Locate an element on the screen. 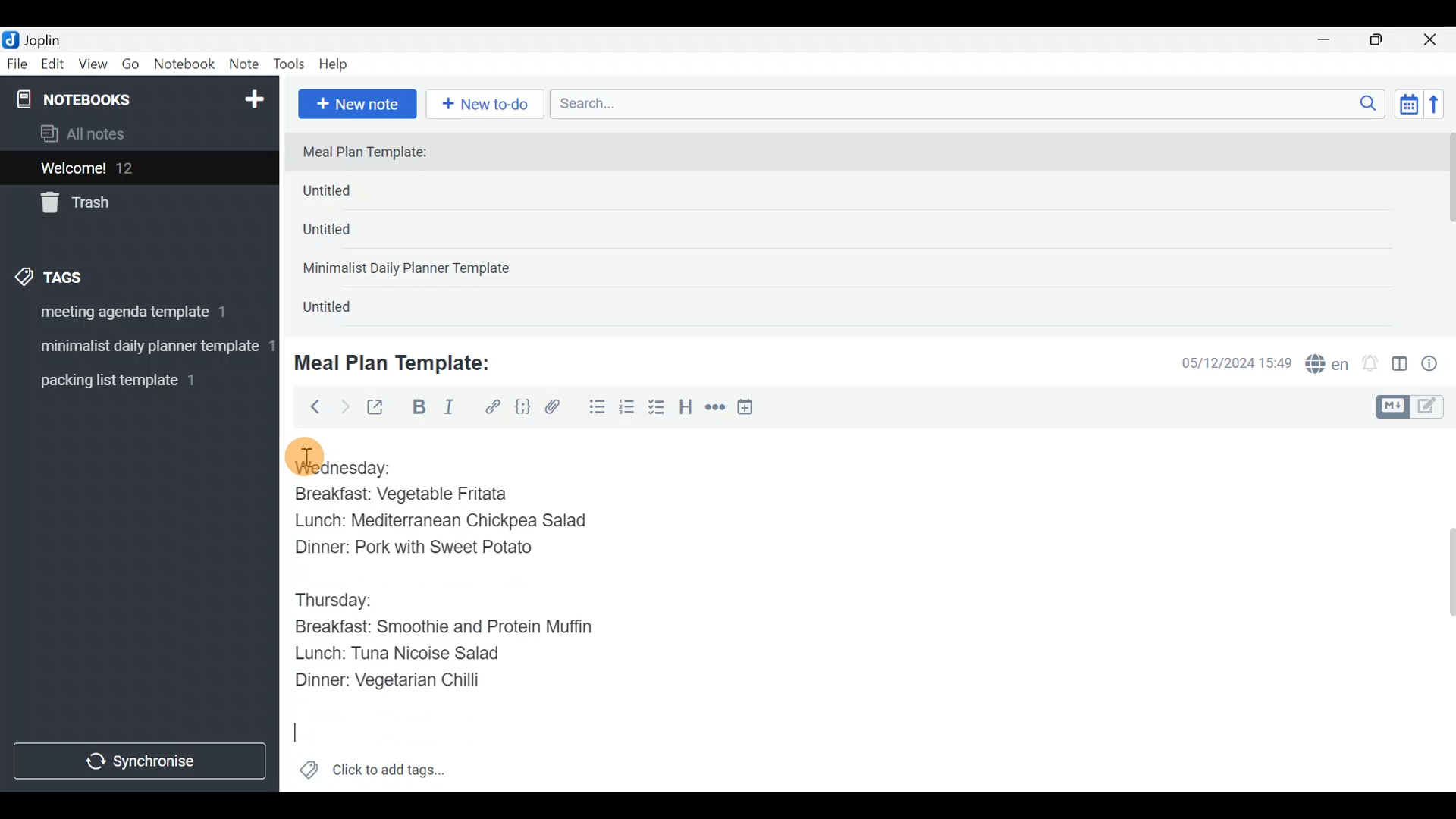  Attach file is located at coordinates (557, 409).